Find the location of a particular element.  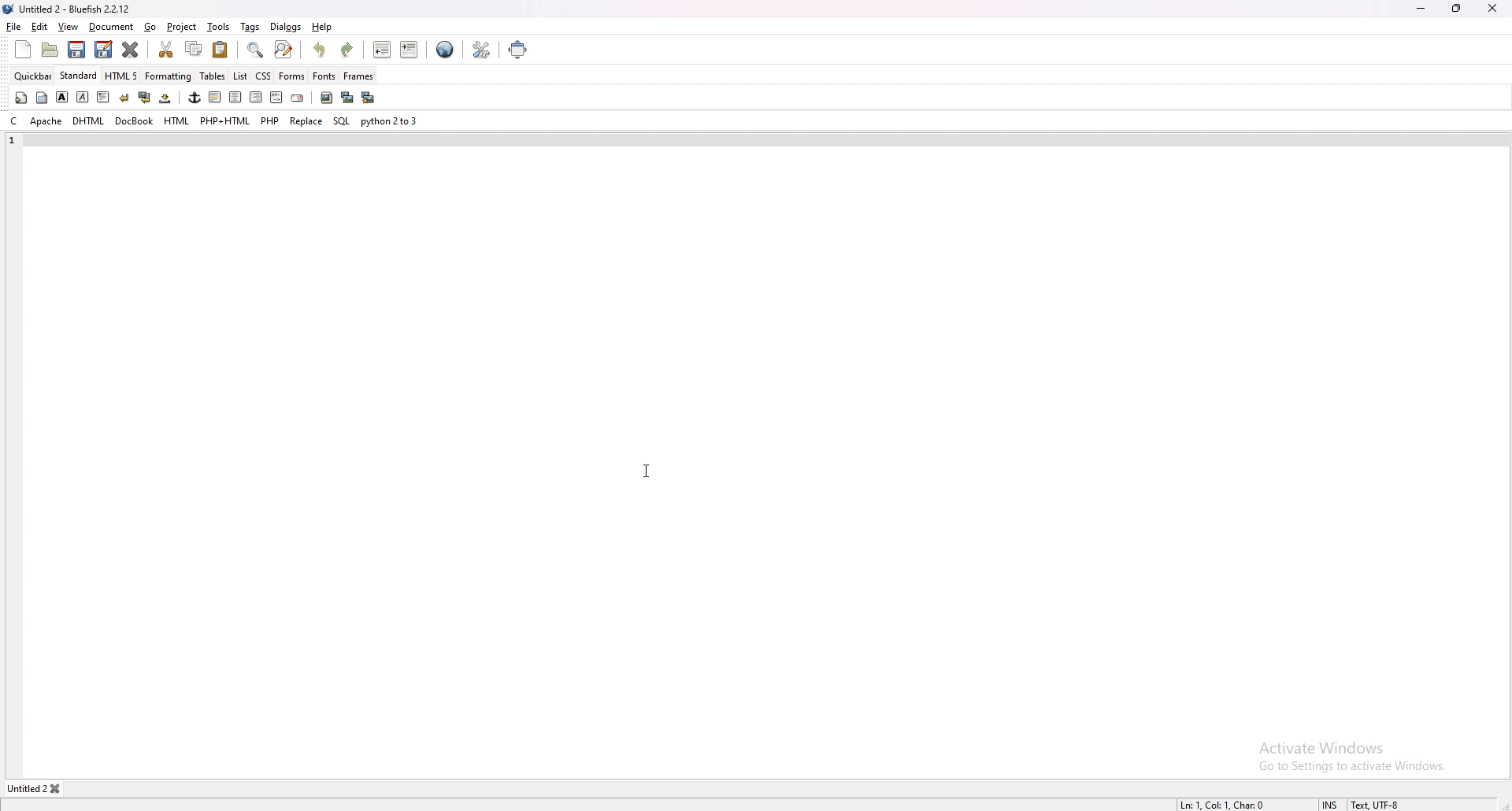

paragraph is located at coordinates (103, 98).